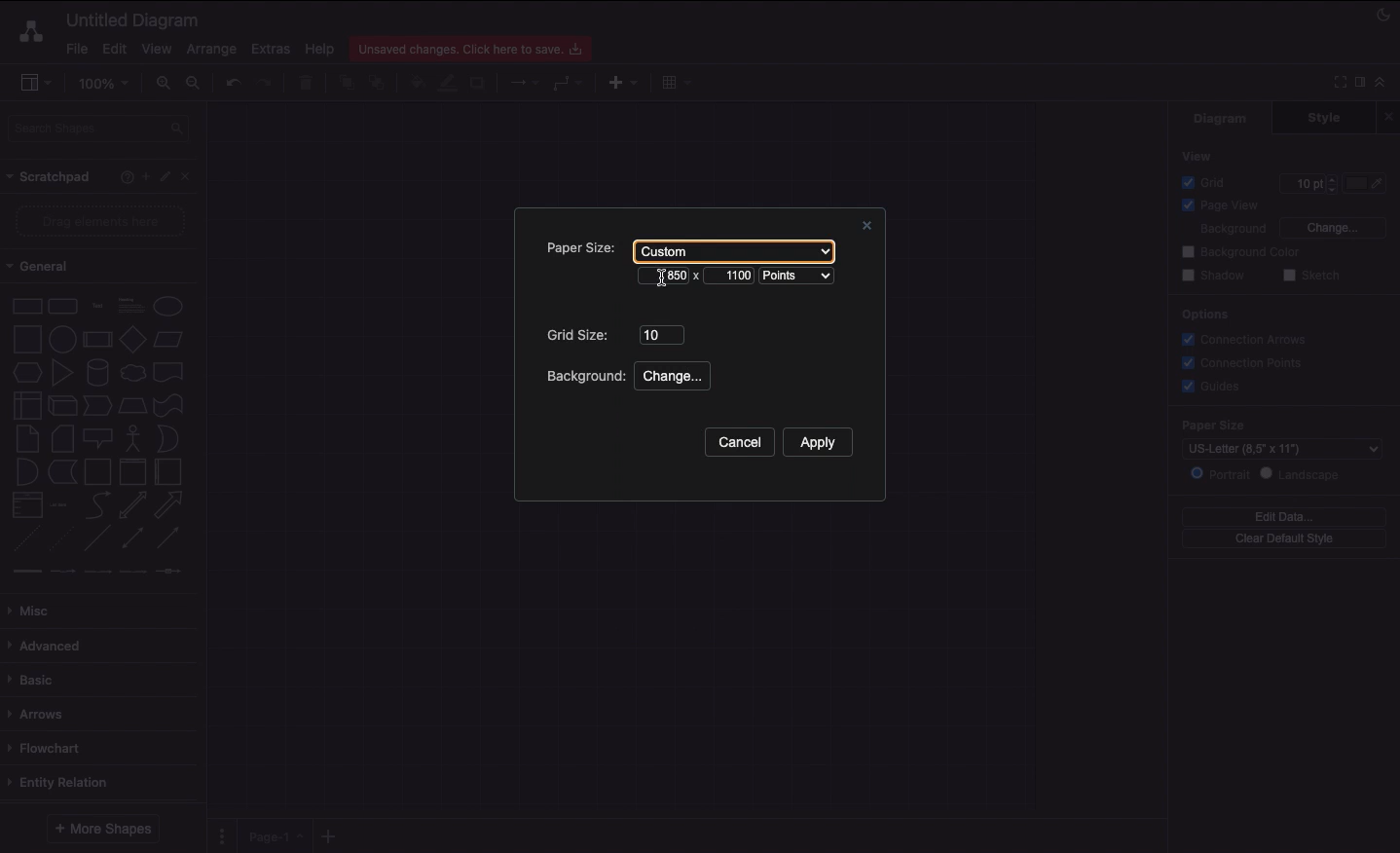  Describe the element at coordinates (75, 49) in the screenshot. I see `File` at that location.